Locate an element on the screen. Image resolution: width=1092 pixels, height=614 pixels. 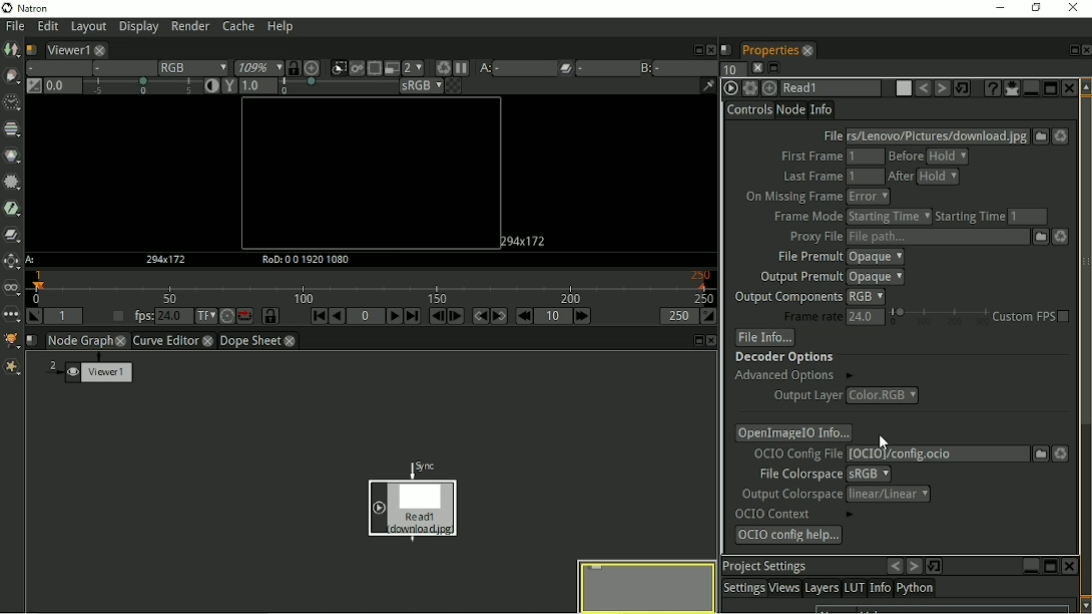
Behaviour is located at coordinates (241, 316).